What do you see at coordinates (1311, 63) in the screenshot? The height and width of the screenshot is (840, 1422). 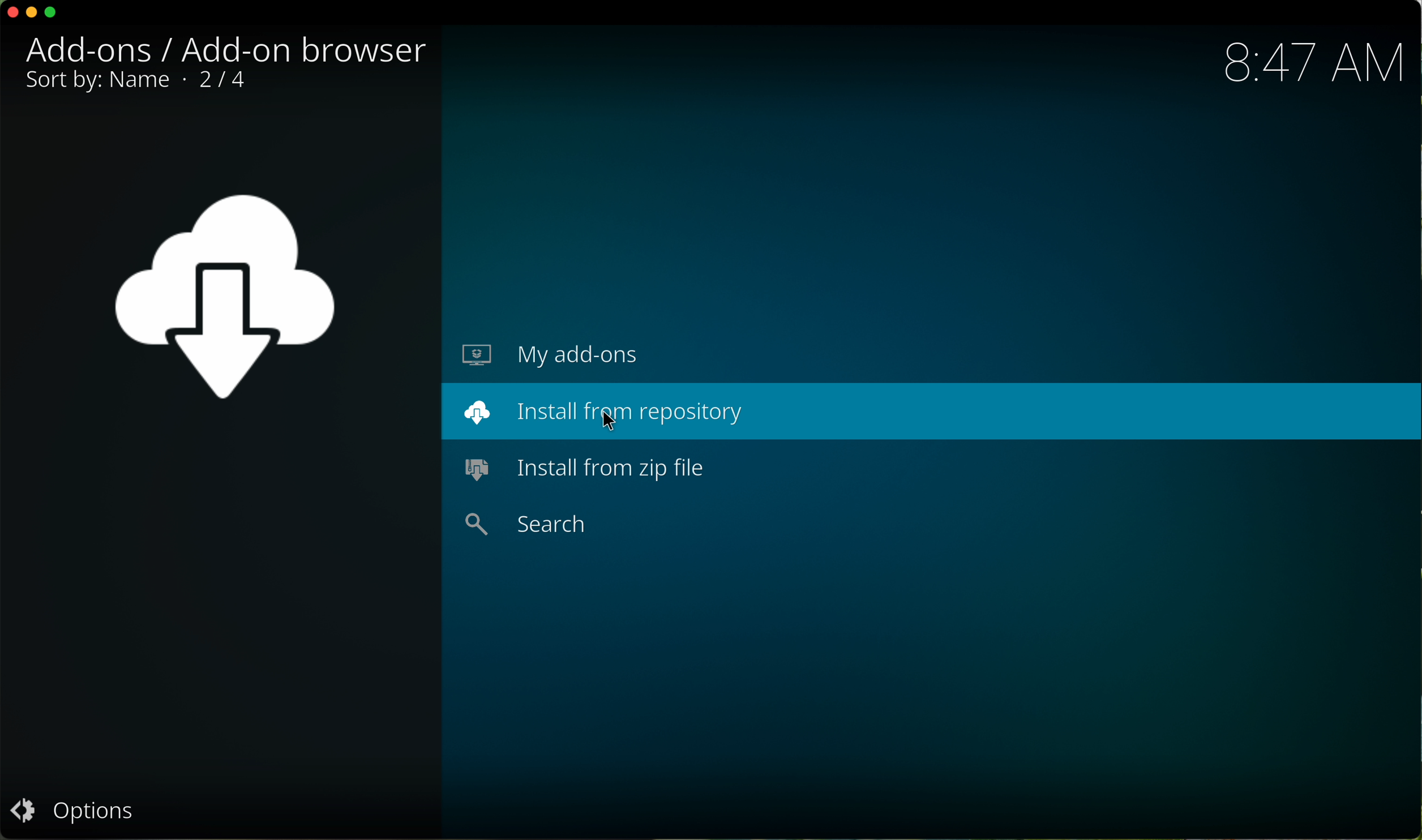 I see `hour` at bounding box center [1311, 63].